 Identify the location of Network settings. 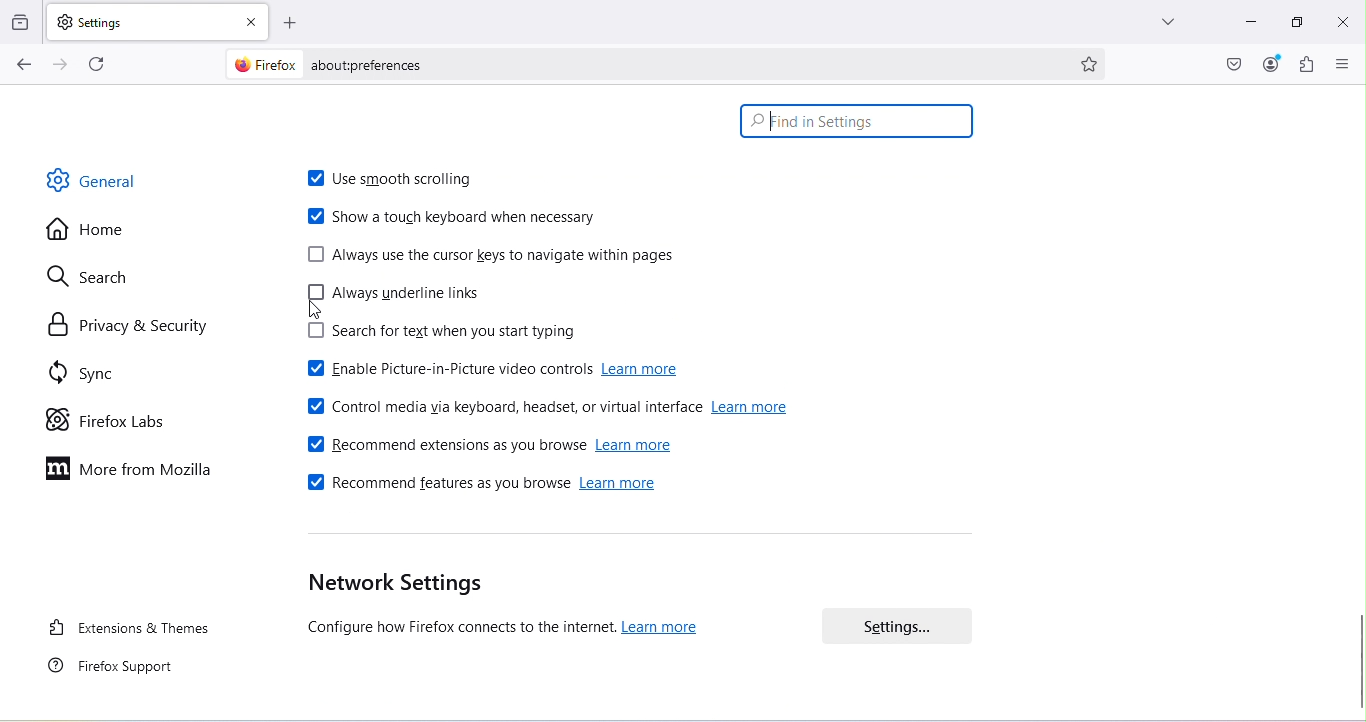
(453, 608).